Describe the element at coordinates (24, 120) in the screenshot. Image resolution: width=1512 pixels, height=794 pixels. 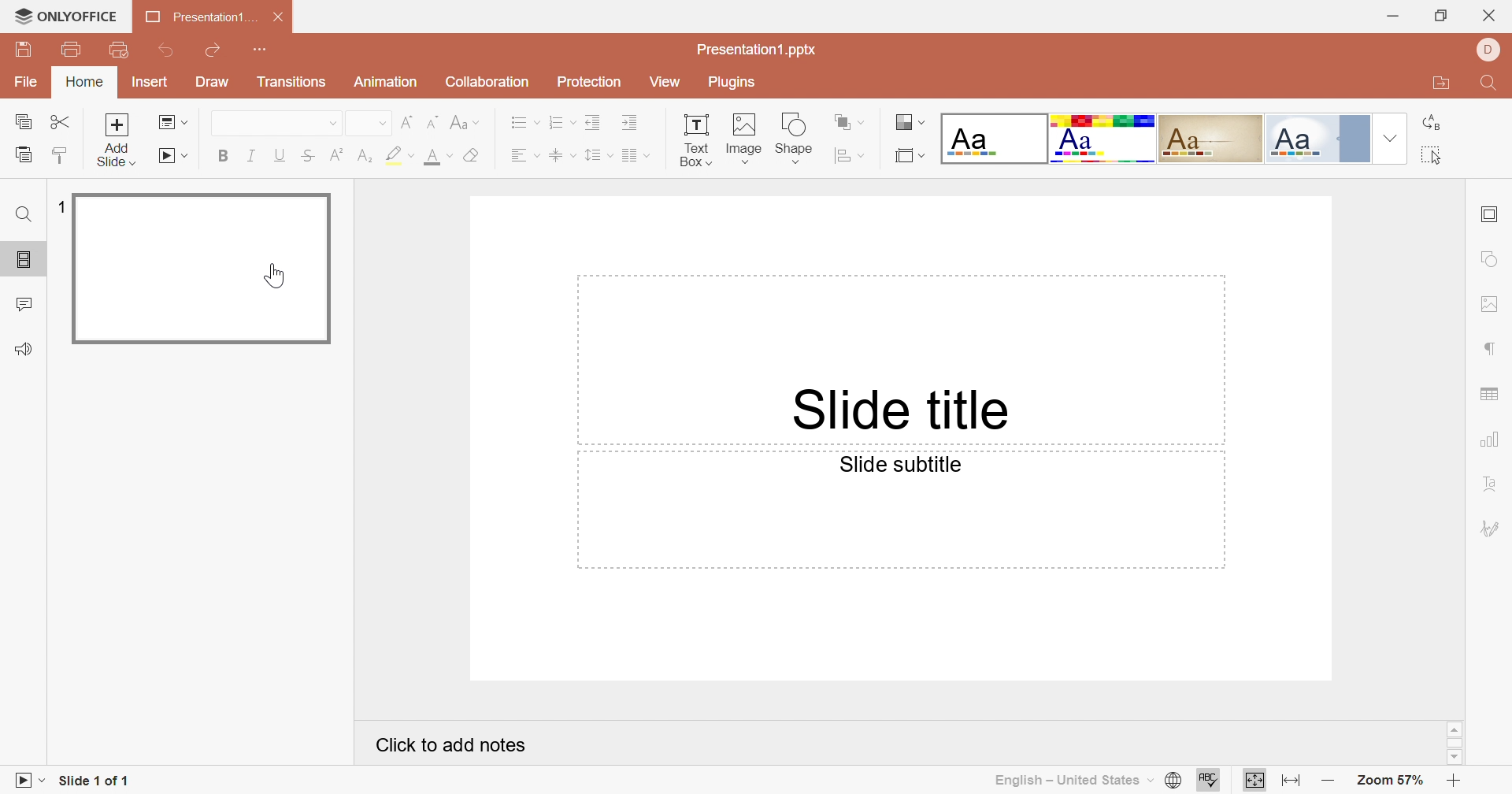
I see `Copy` at that location.